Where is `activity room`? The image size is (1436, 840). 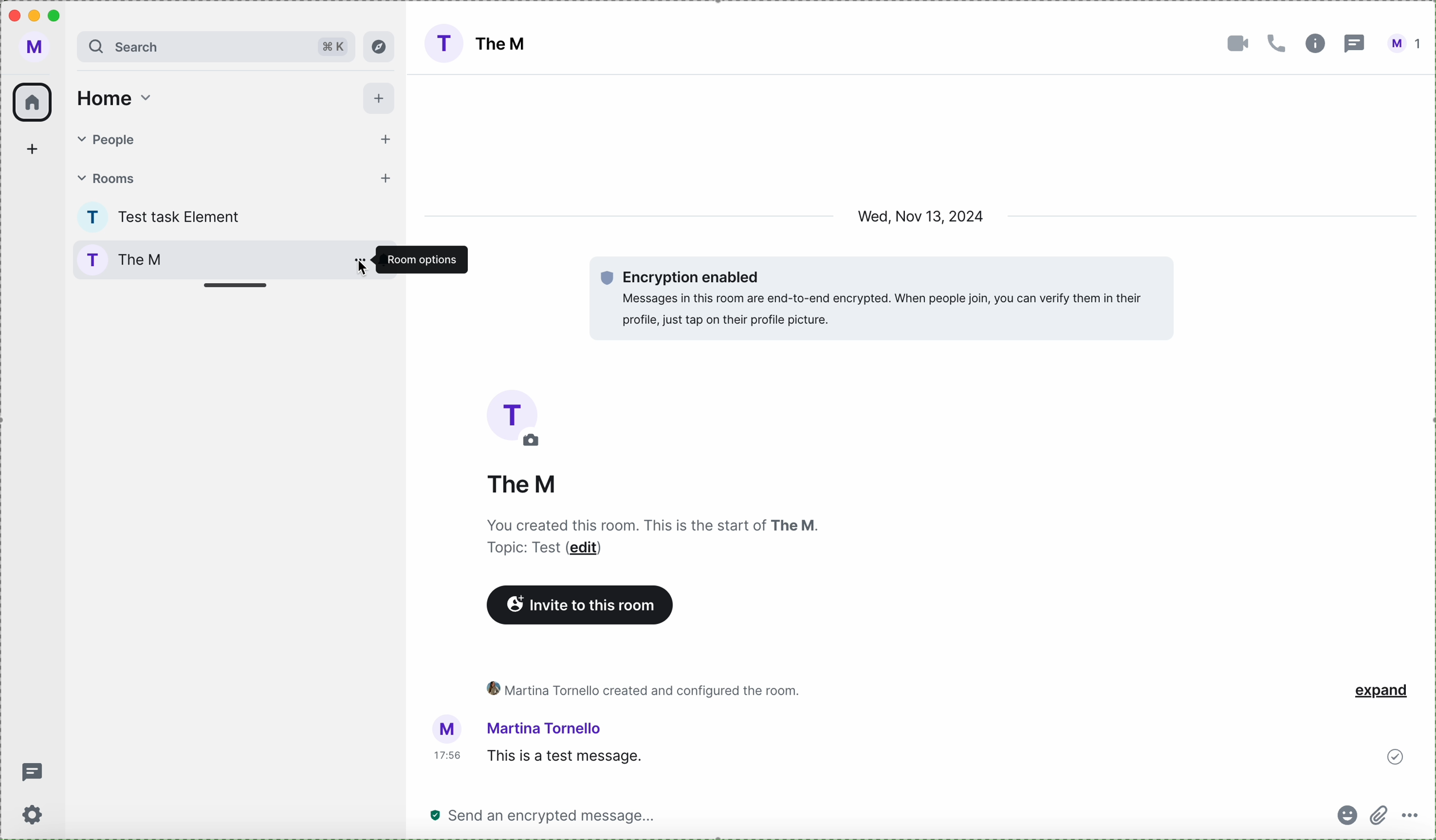
activity room is located at coordinates (643, 687).